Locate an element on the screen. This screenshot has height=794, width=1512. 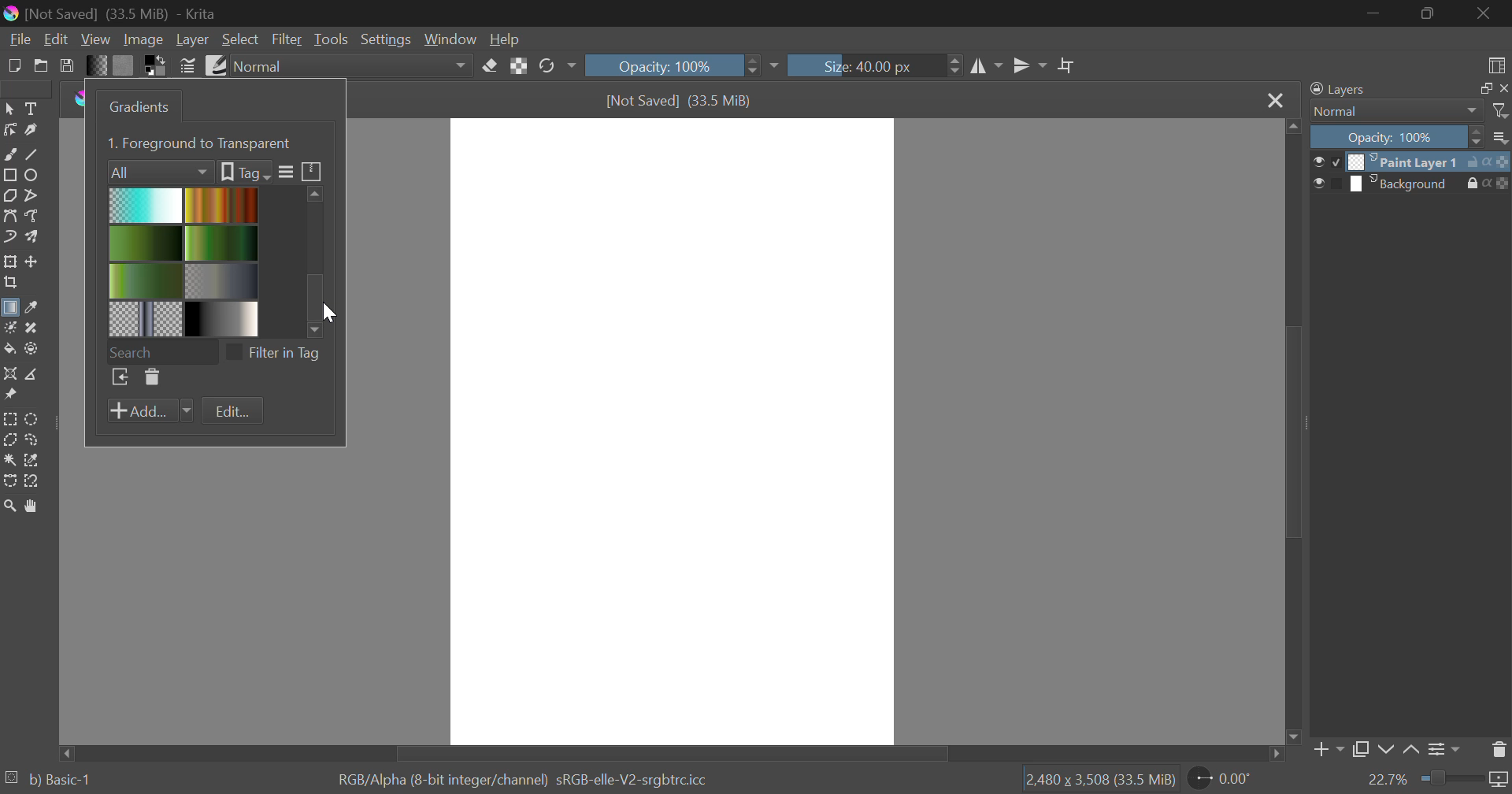
Polygon is located at coordinates (9, 195).